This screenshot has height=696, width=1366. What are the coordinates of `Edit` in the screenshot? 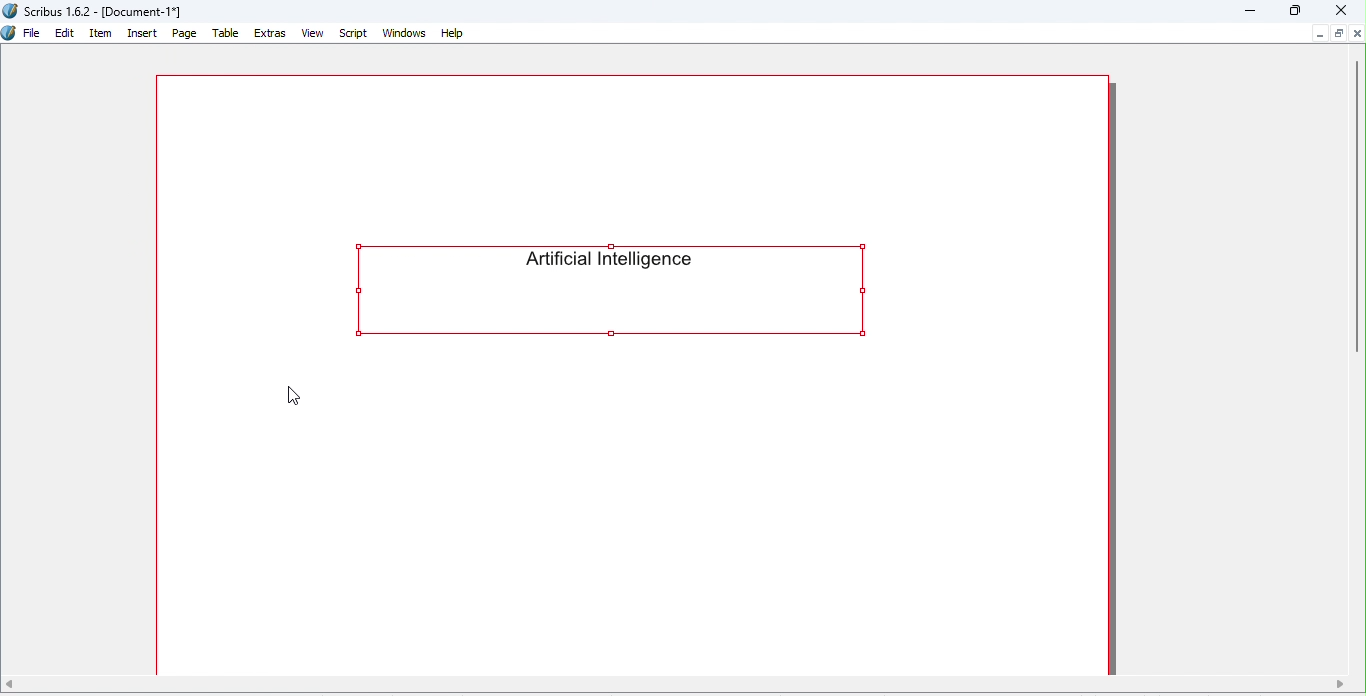 It's located at (65, 34).